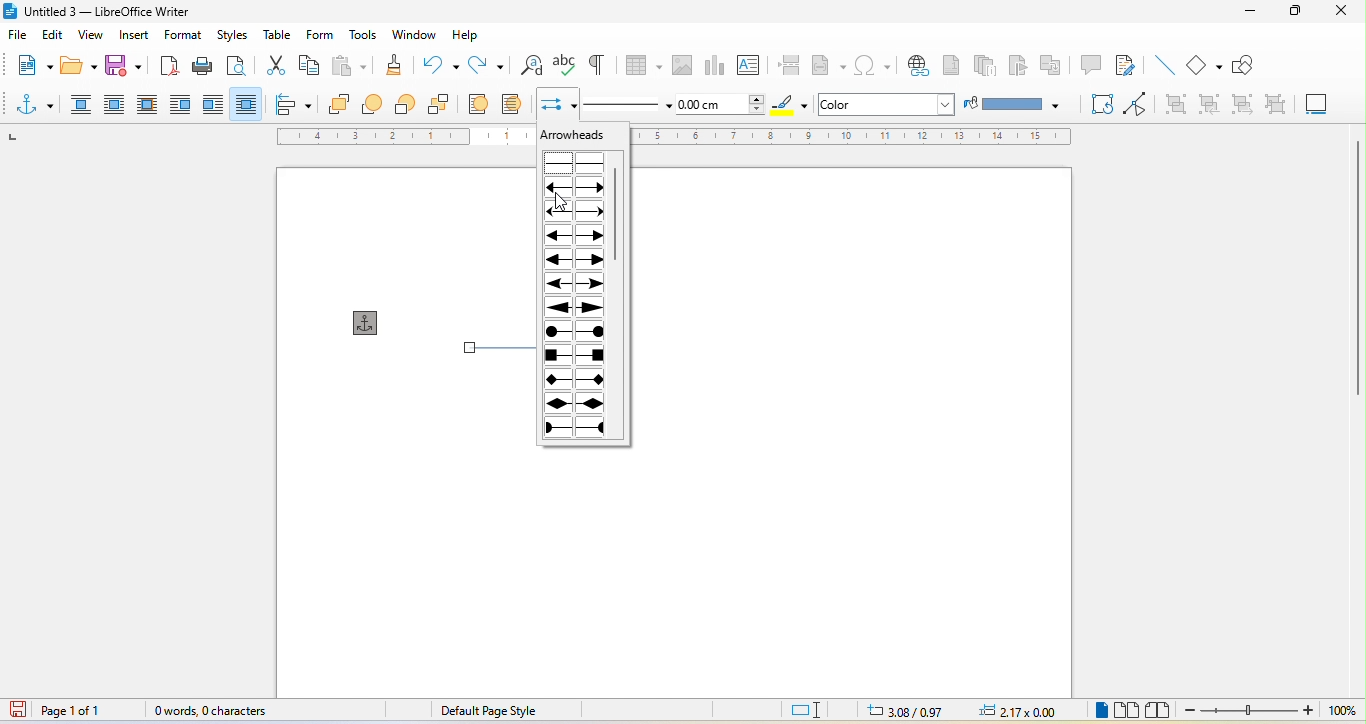  I want to click on vertical scroll bar, so click(1357, 252).